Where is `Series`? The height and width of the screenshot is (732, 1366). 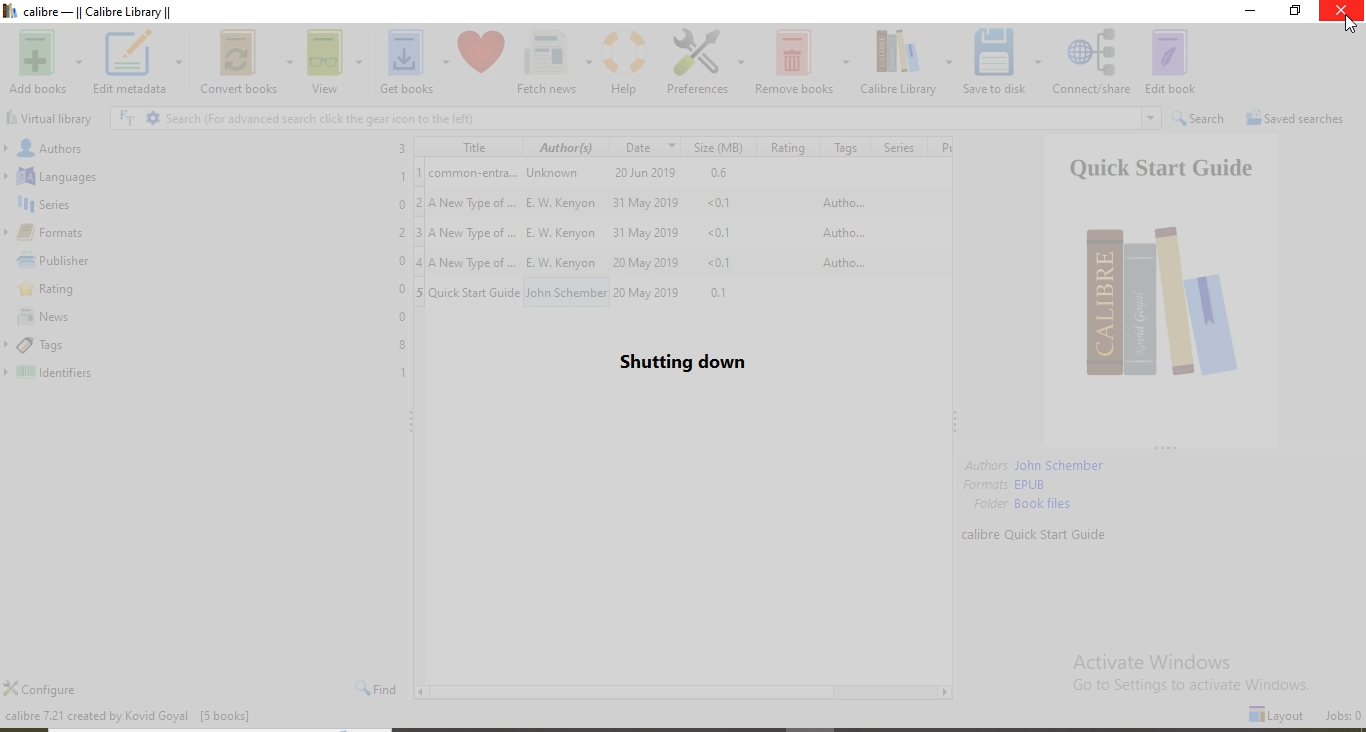 Series is located at coordinates (896, 147).